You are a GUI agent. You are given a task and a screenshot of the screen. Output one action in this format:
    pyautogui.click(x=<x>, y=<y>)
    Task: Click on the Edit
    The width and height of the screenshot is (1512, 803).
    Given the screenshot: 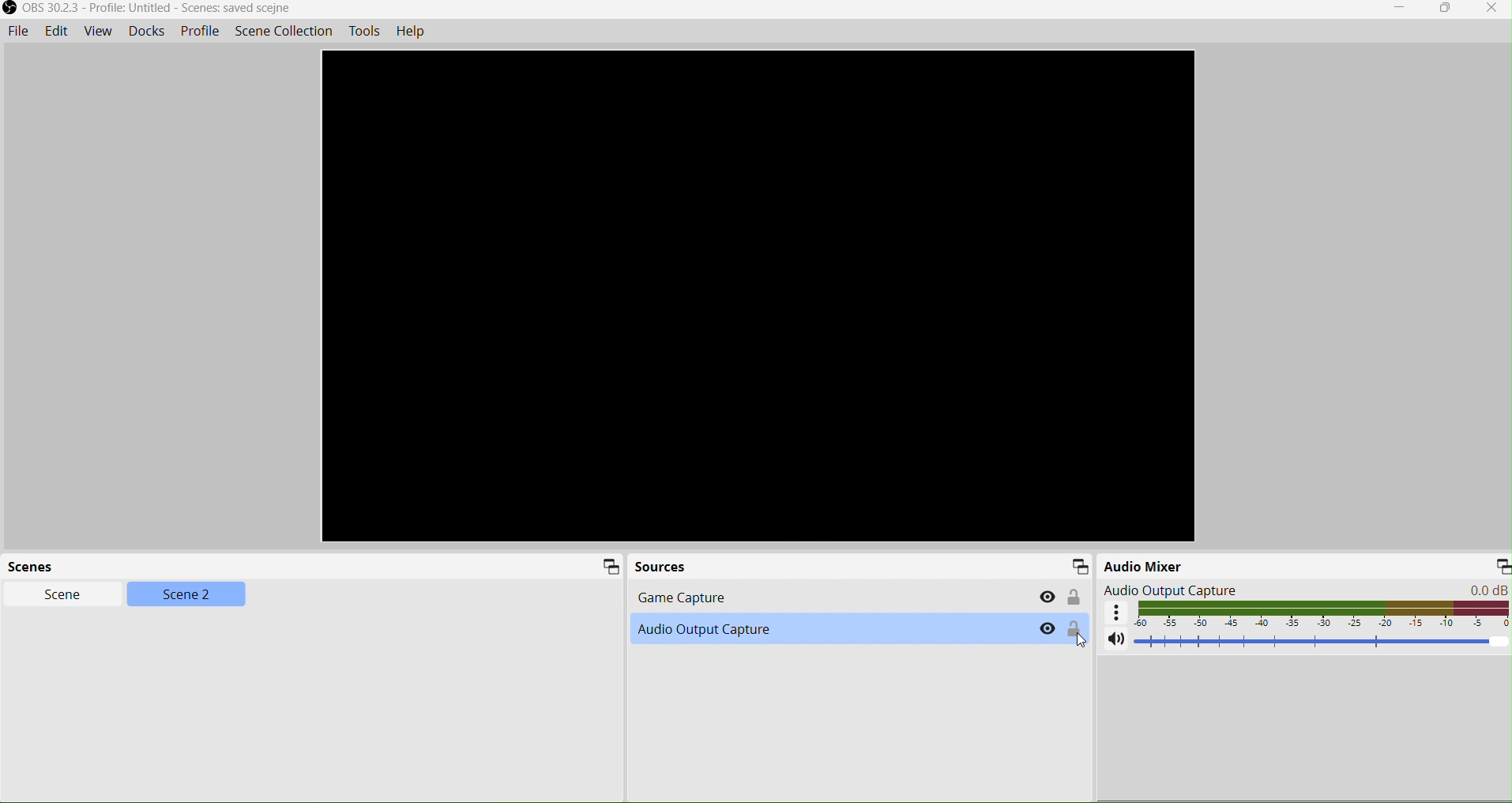 What is the action you would take?
    pyautogui.click(x=56, y=32)
    